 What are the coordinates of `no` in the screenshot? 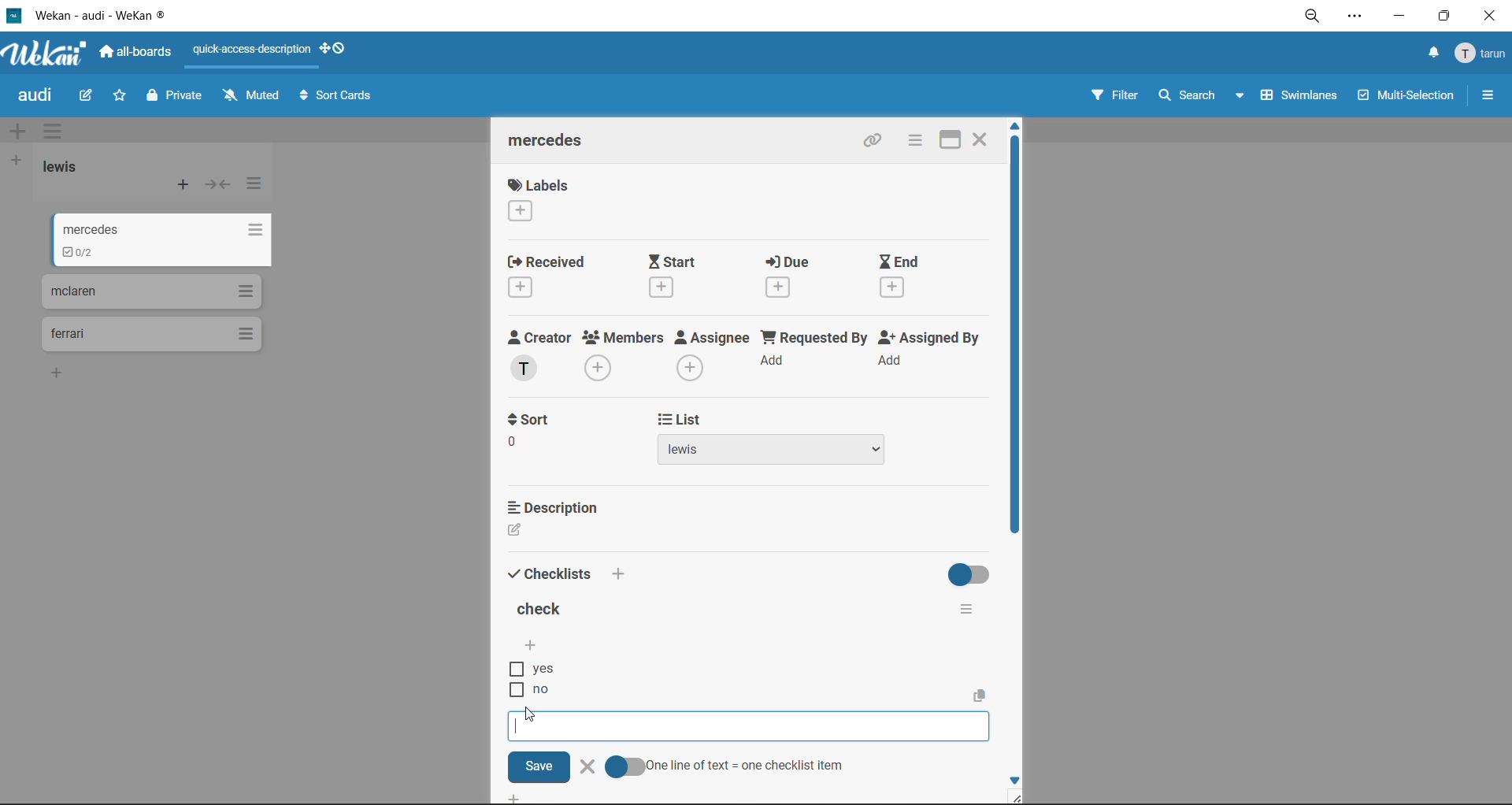 It's located at (555, 691).